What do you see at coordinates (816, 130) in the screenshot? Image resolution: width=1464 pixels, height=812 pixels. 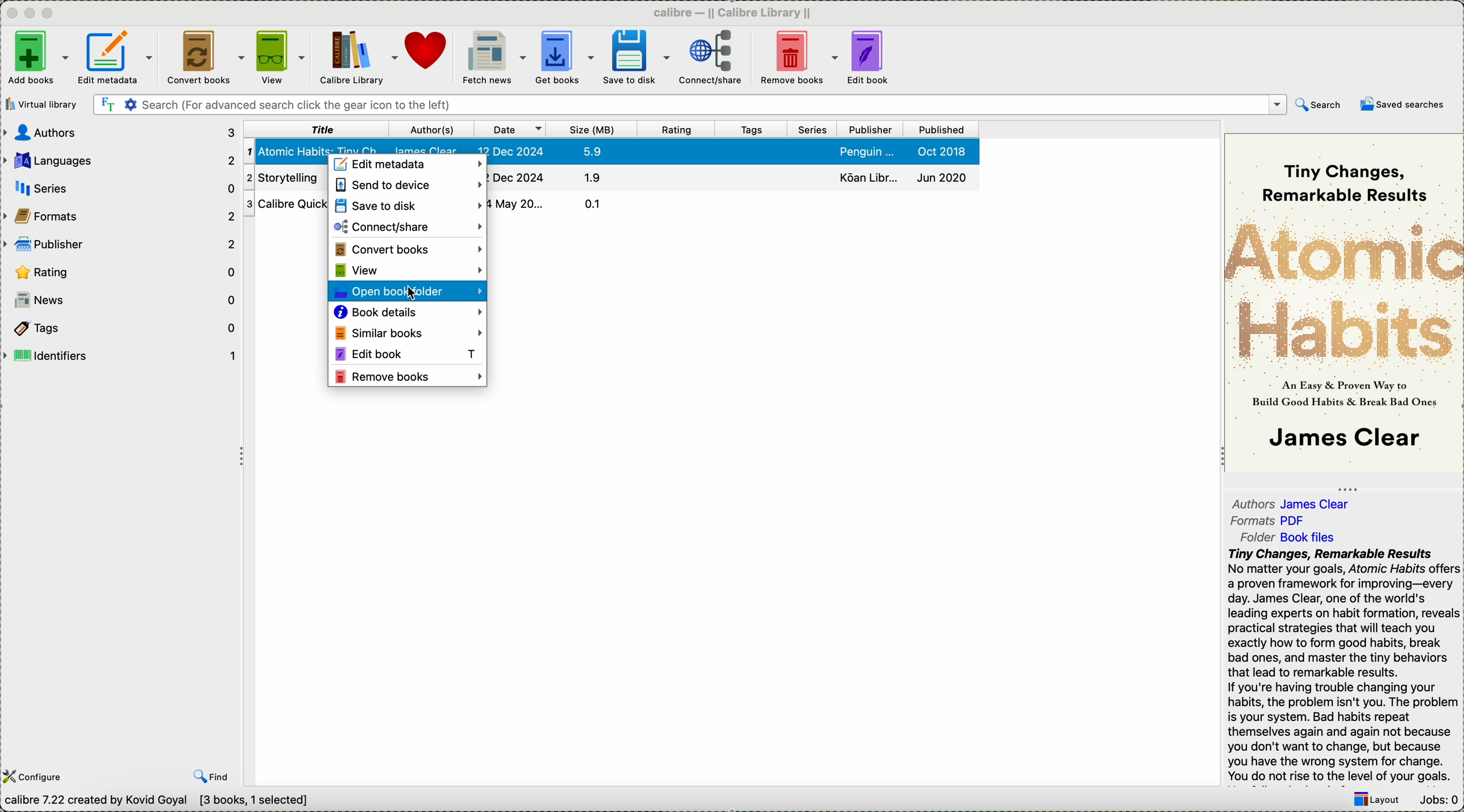 I see `series` at bounding box center [816, 130].